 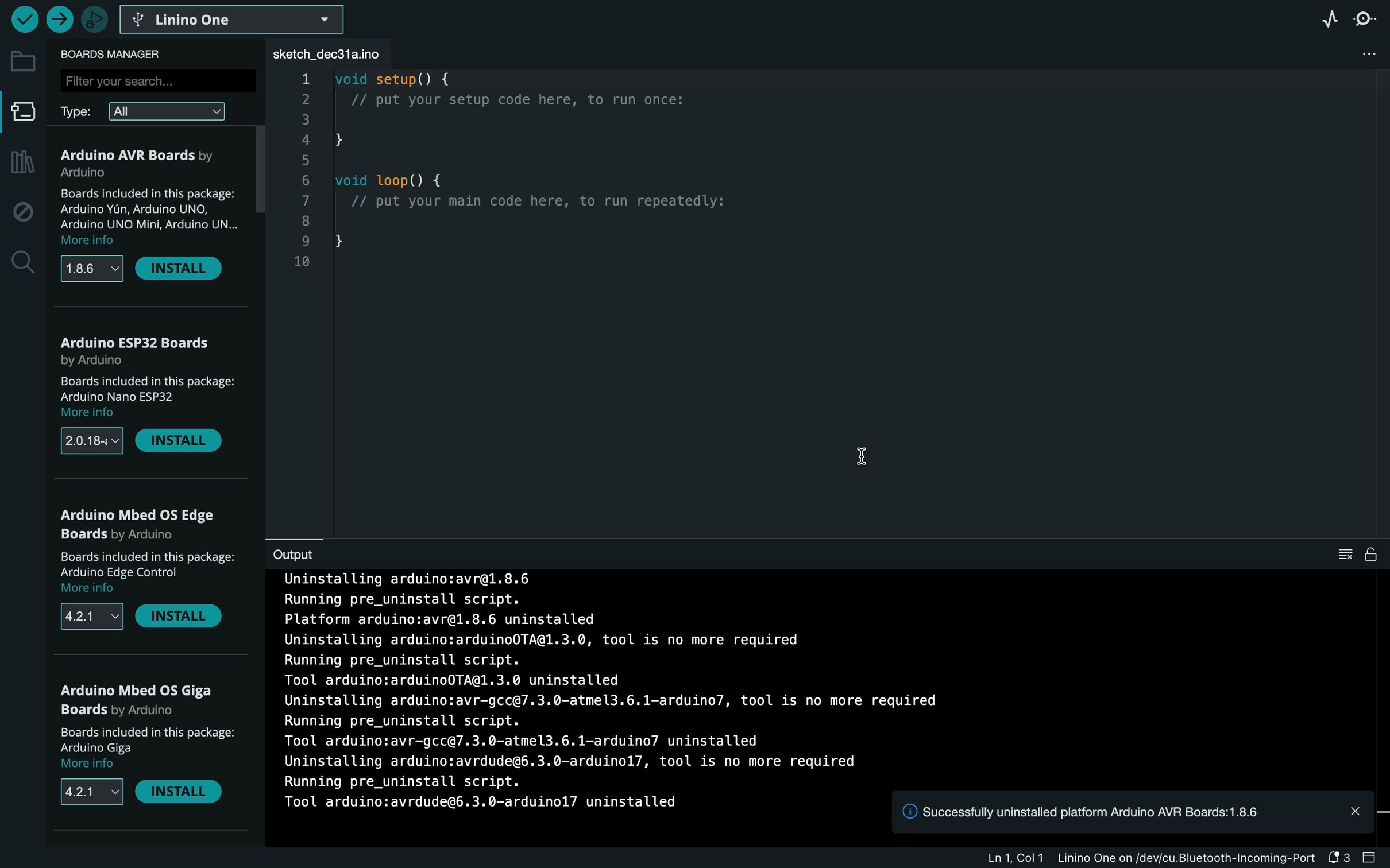 What do you see at coordinates (21, 112) in the screenshot?
I see `board manager` at bounding box center [21, 112].